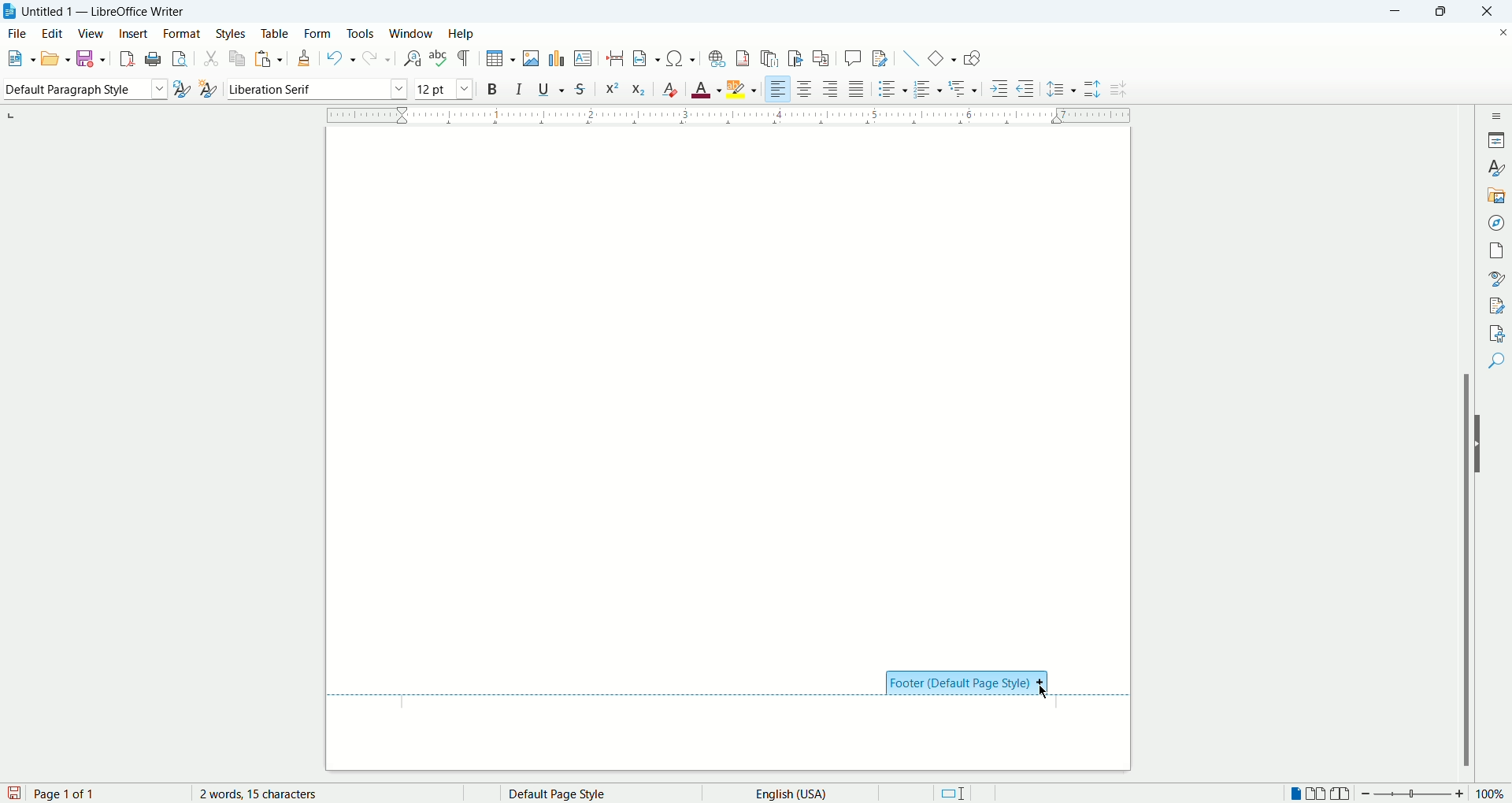 Image resolution: width=1512 pixels, height=803 pixels. I want to click on ordered list, so click(929, 90).